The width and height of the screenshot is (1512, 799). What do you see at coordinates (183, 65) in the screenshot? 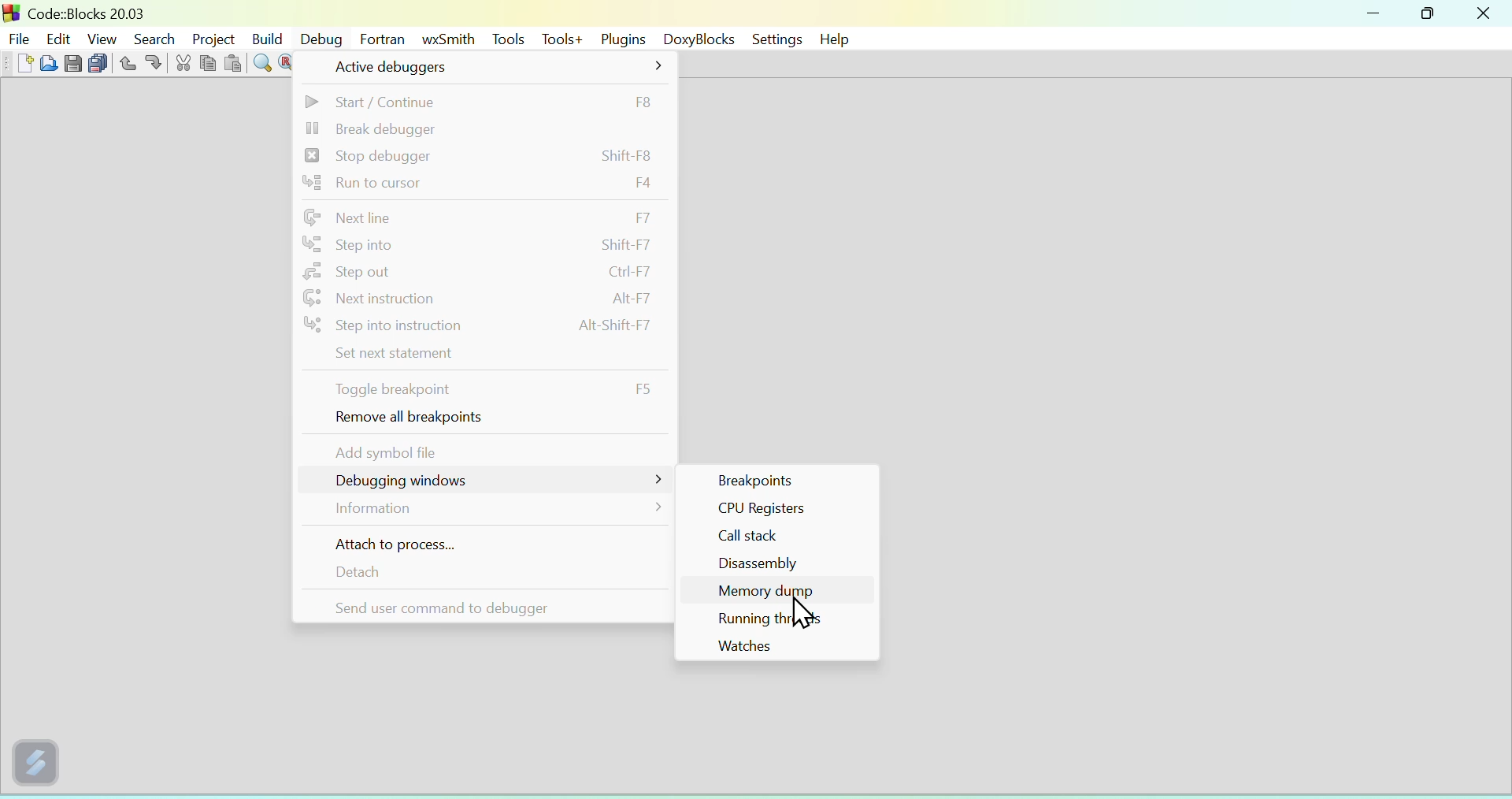
I see `cut ` at bounding box center [183, 65].